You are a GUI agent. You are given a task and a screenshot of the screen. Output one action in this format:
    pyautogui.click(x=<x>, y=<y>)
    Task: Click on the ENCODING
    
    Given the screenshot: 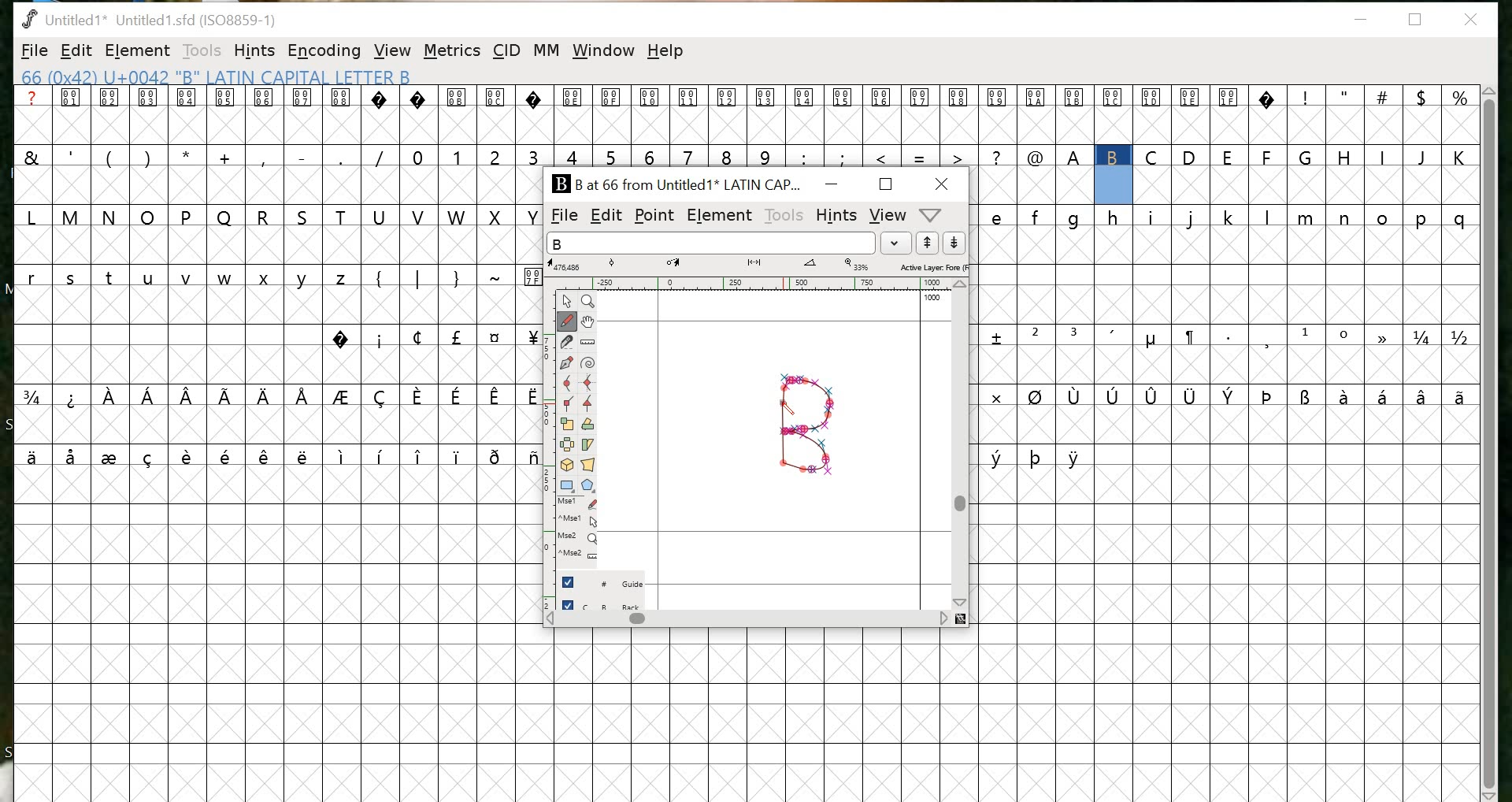 What is the action you would take?
    pyautogui.click(x=324, y=50)
    